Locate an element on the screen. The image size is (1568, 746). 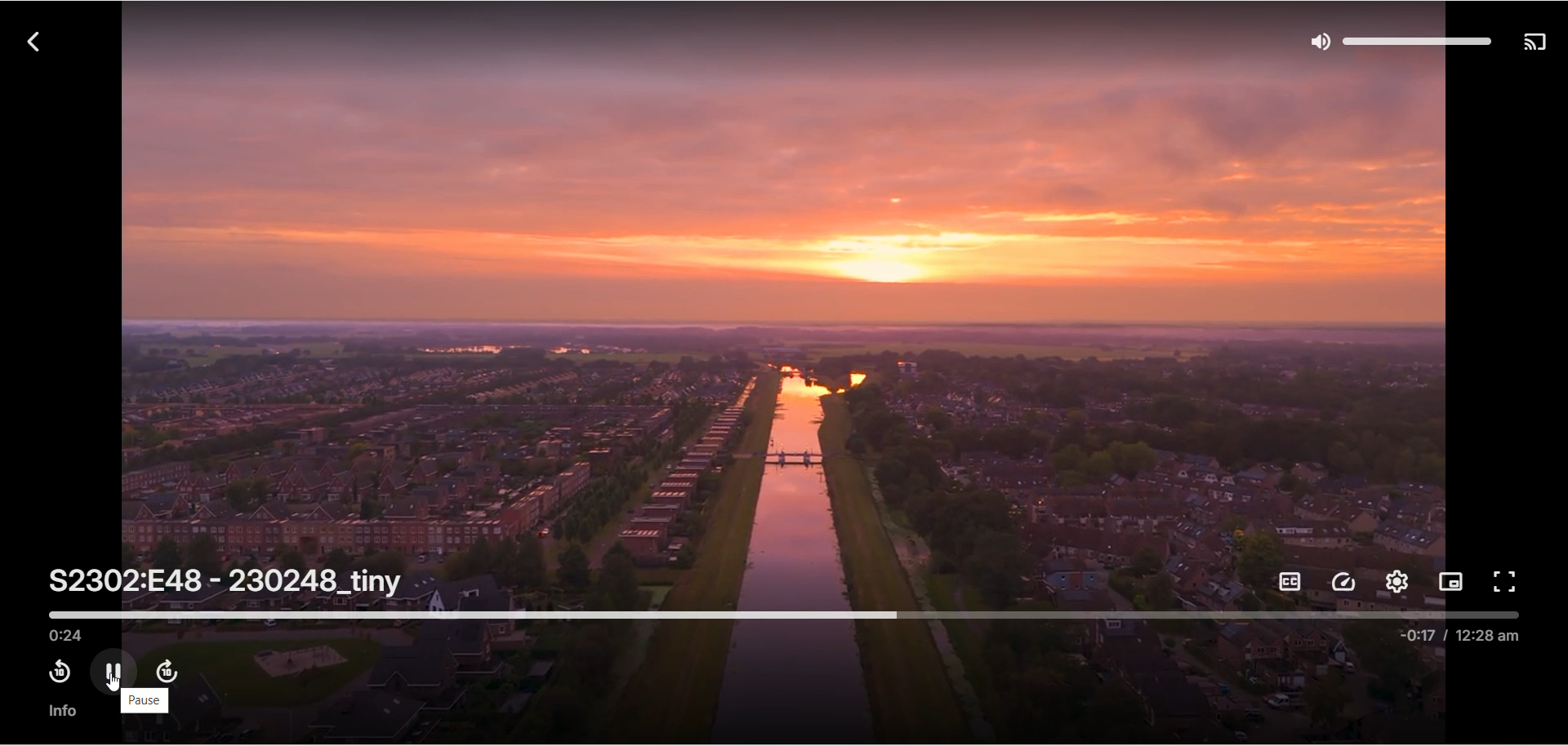
-0:17/12:28 am is located at coordinates (1463, 639).